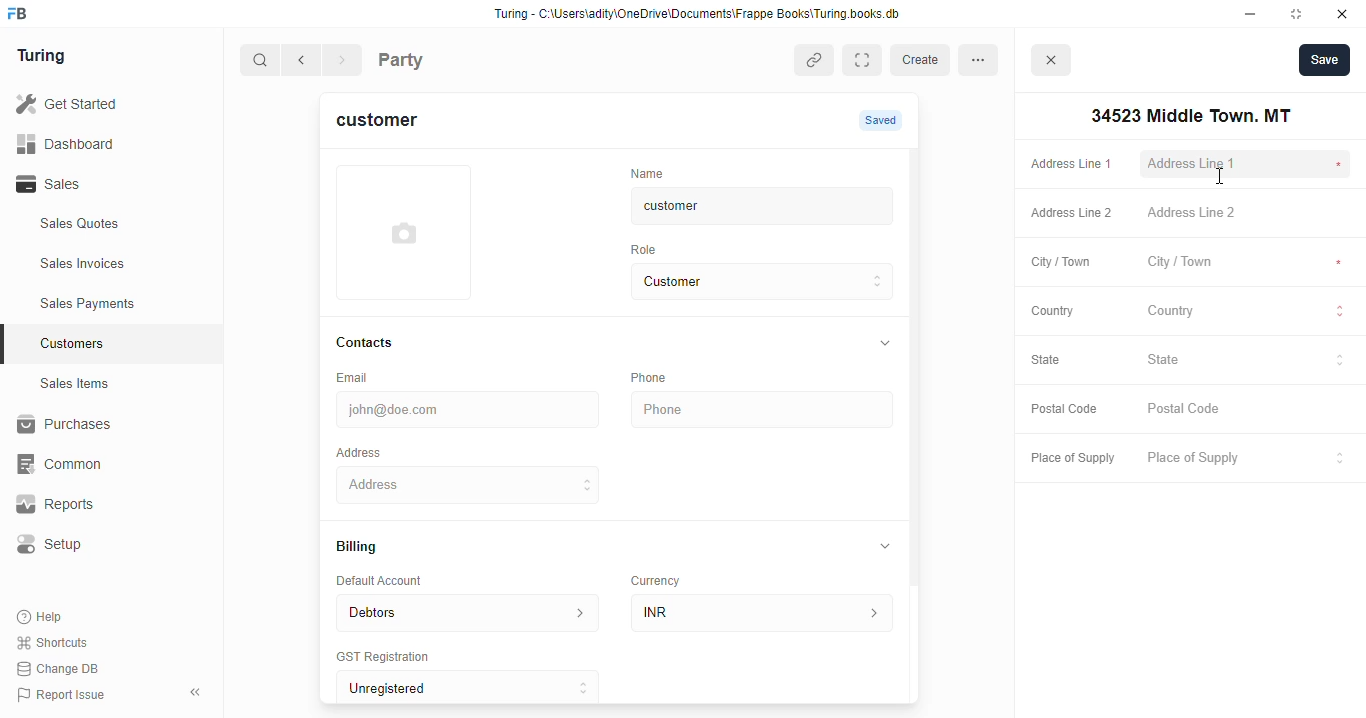  I want to click on frappebooks logo, so click(23, 15).